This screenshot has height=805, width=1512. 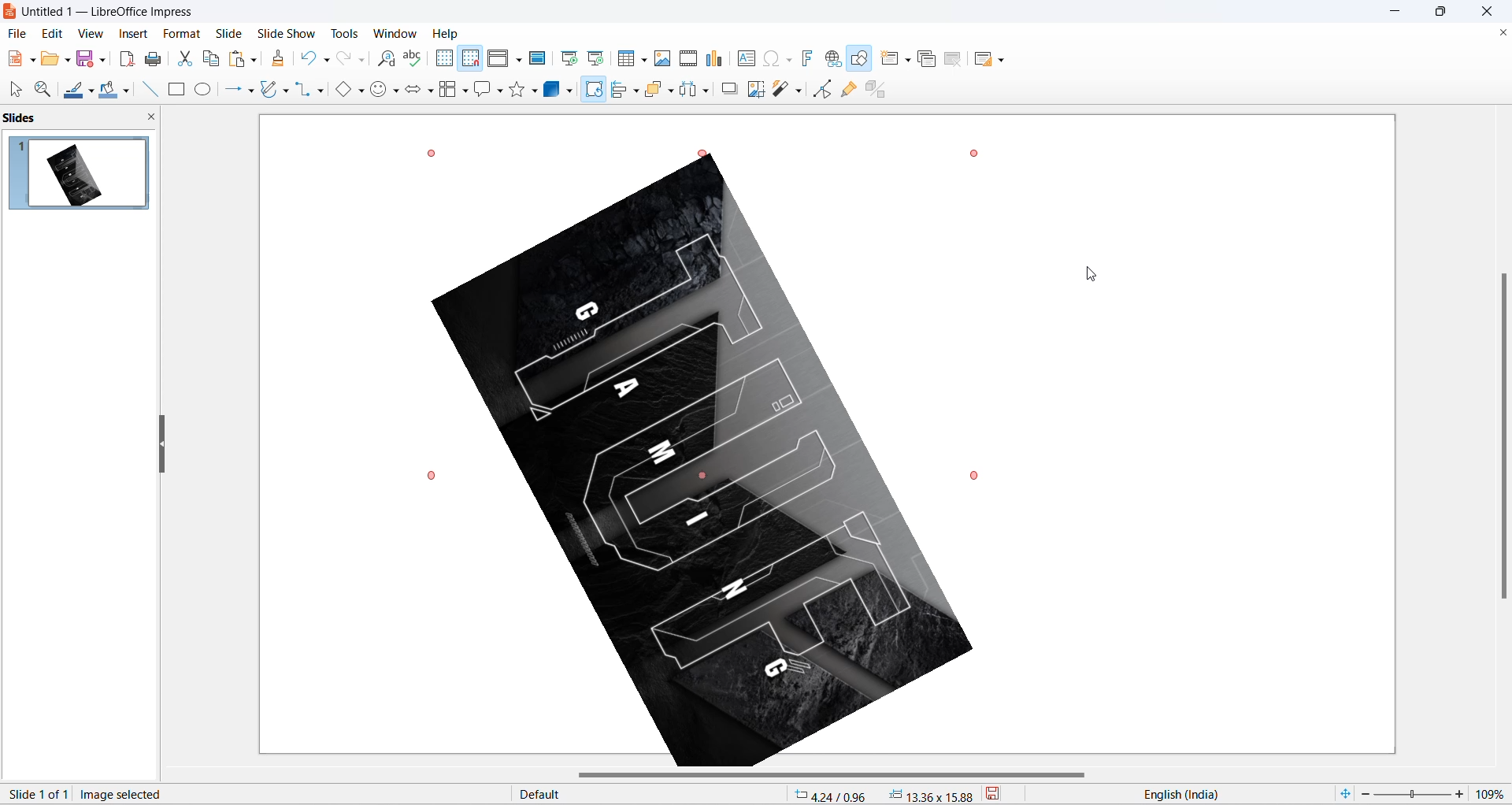 I want to click on curve and polygons, so click(x=270, y=91).